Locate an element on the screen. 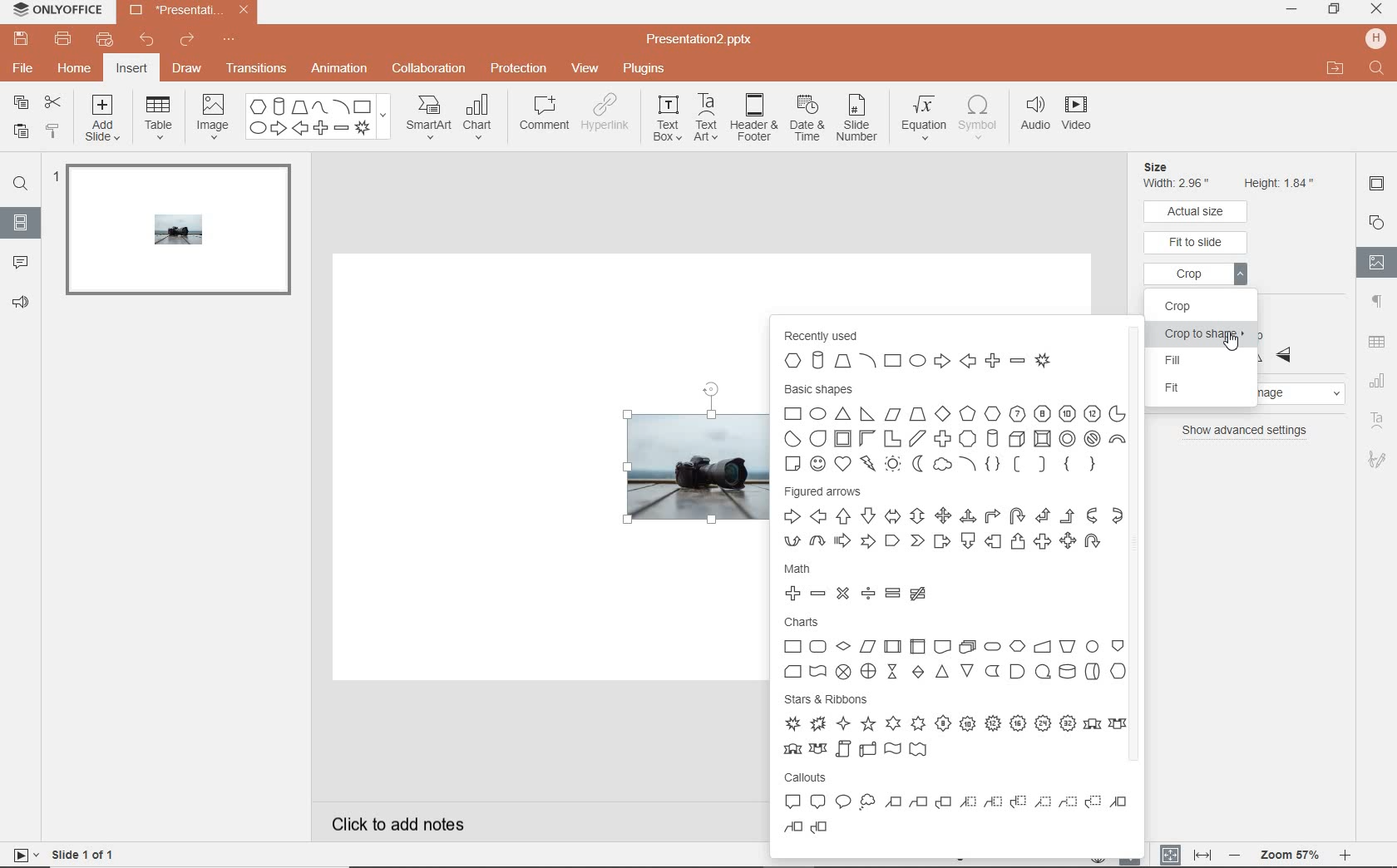 This screenshot has height=868, width=1397. crop is located at coordinates (1194, 305).